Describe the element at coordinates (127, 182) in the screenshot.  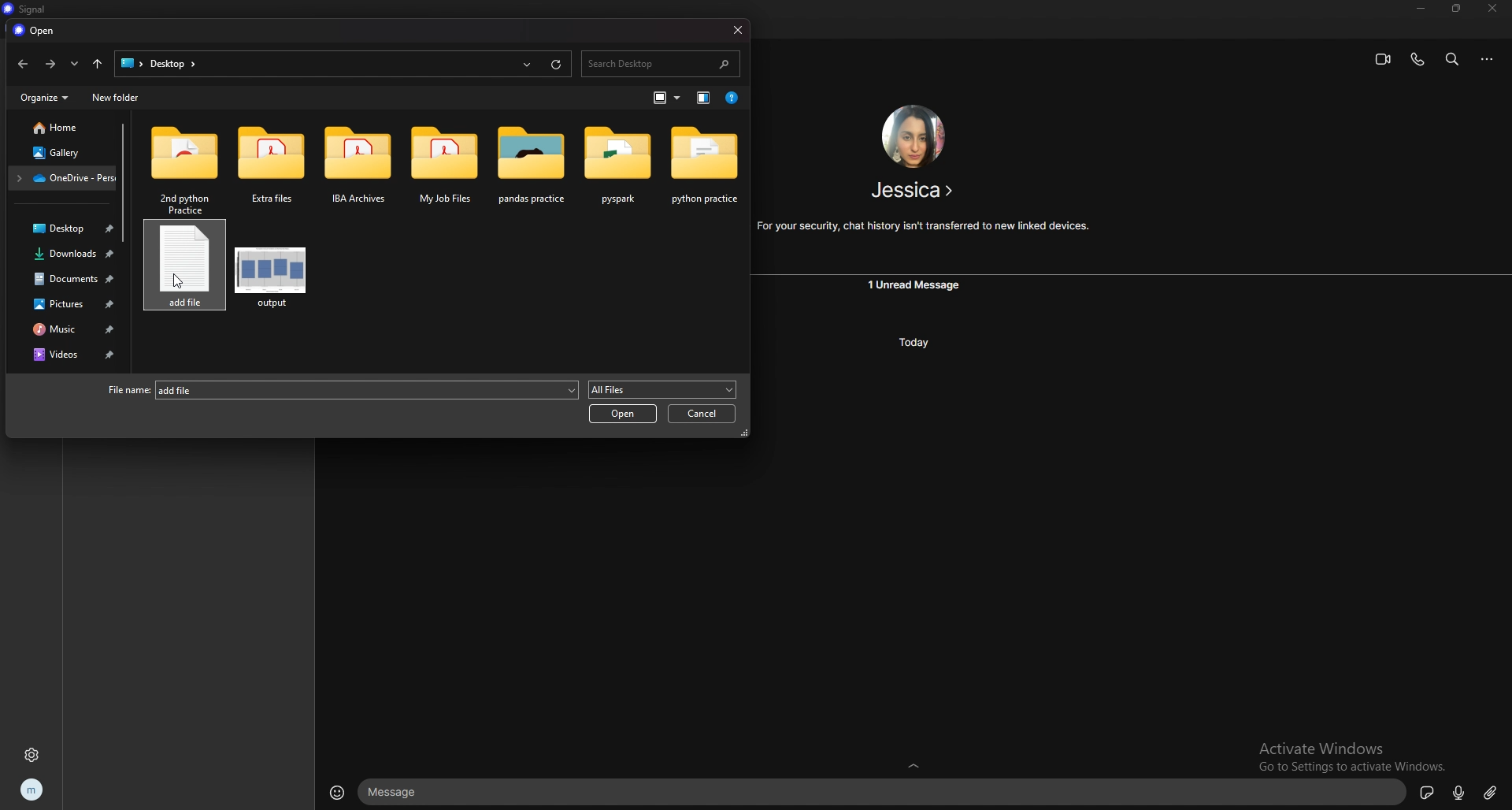
I see `scroll bar` at that location.